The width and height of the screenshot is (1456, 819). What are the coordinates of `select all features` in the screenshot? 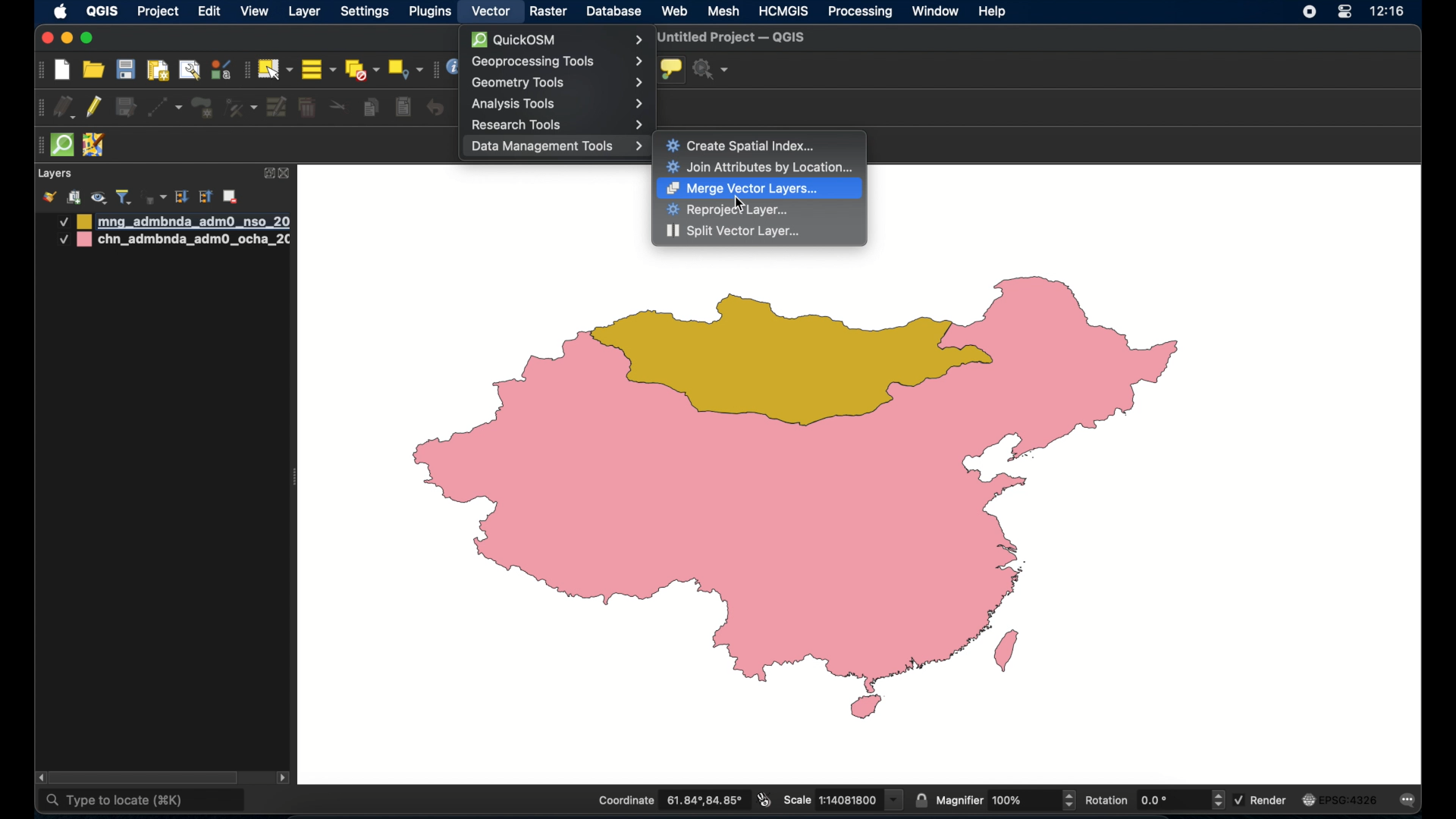 It's located at (319, 71).